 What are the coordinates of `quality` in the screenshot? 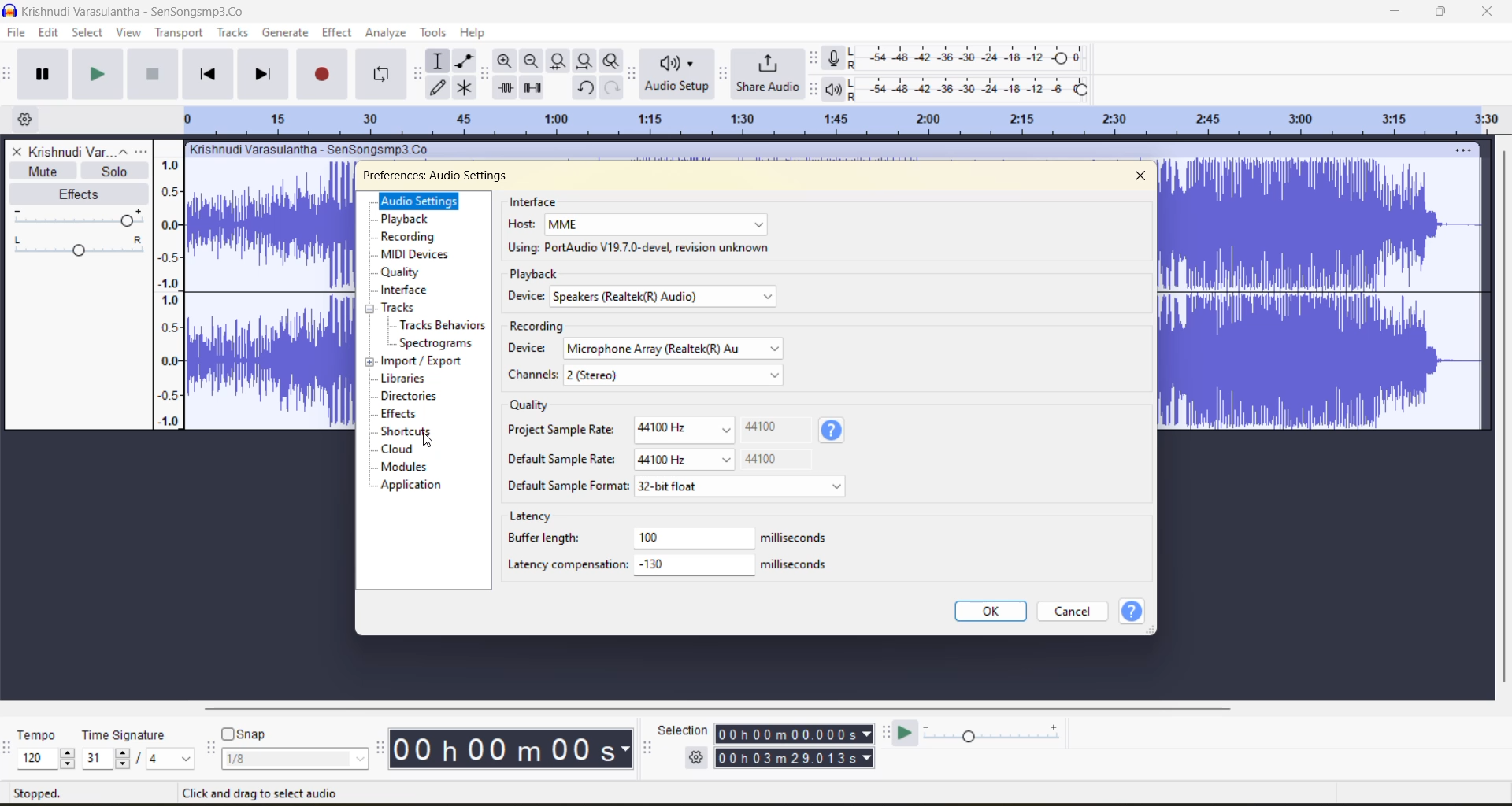 It's located at (404, 272).